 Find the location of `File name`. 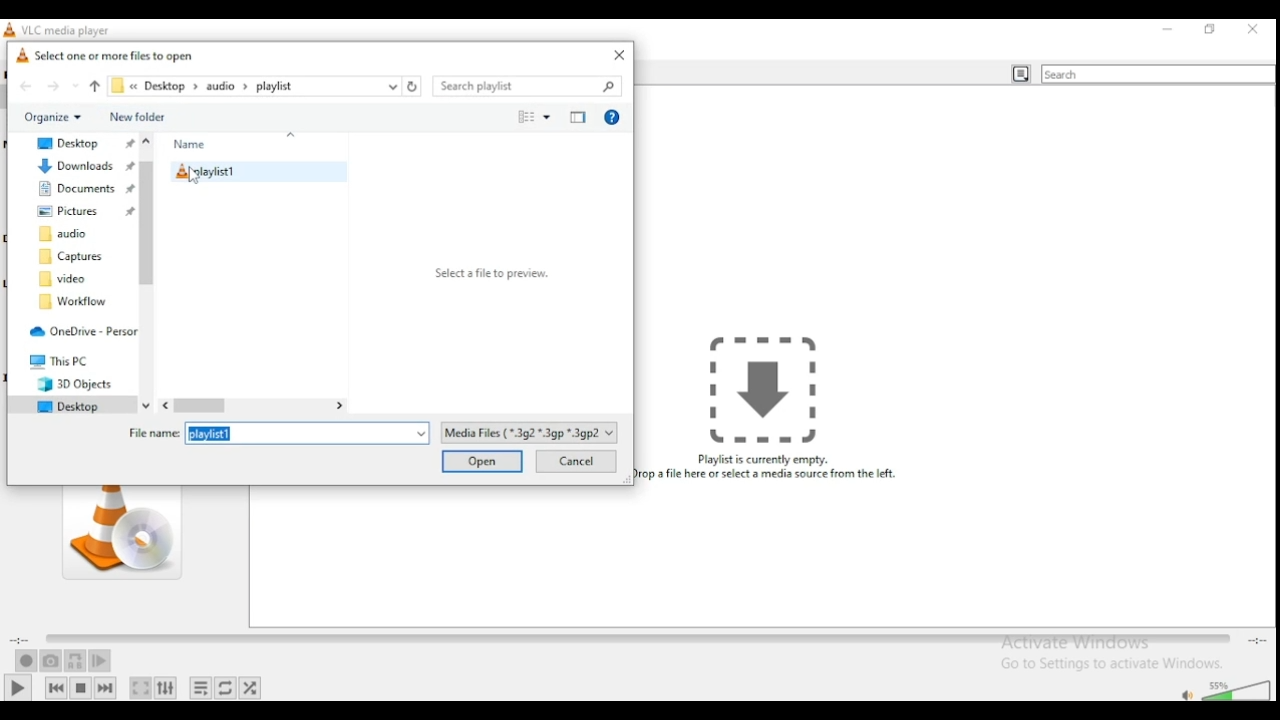

File name is located at coordinates (148, 435).